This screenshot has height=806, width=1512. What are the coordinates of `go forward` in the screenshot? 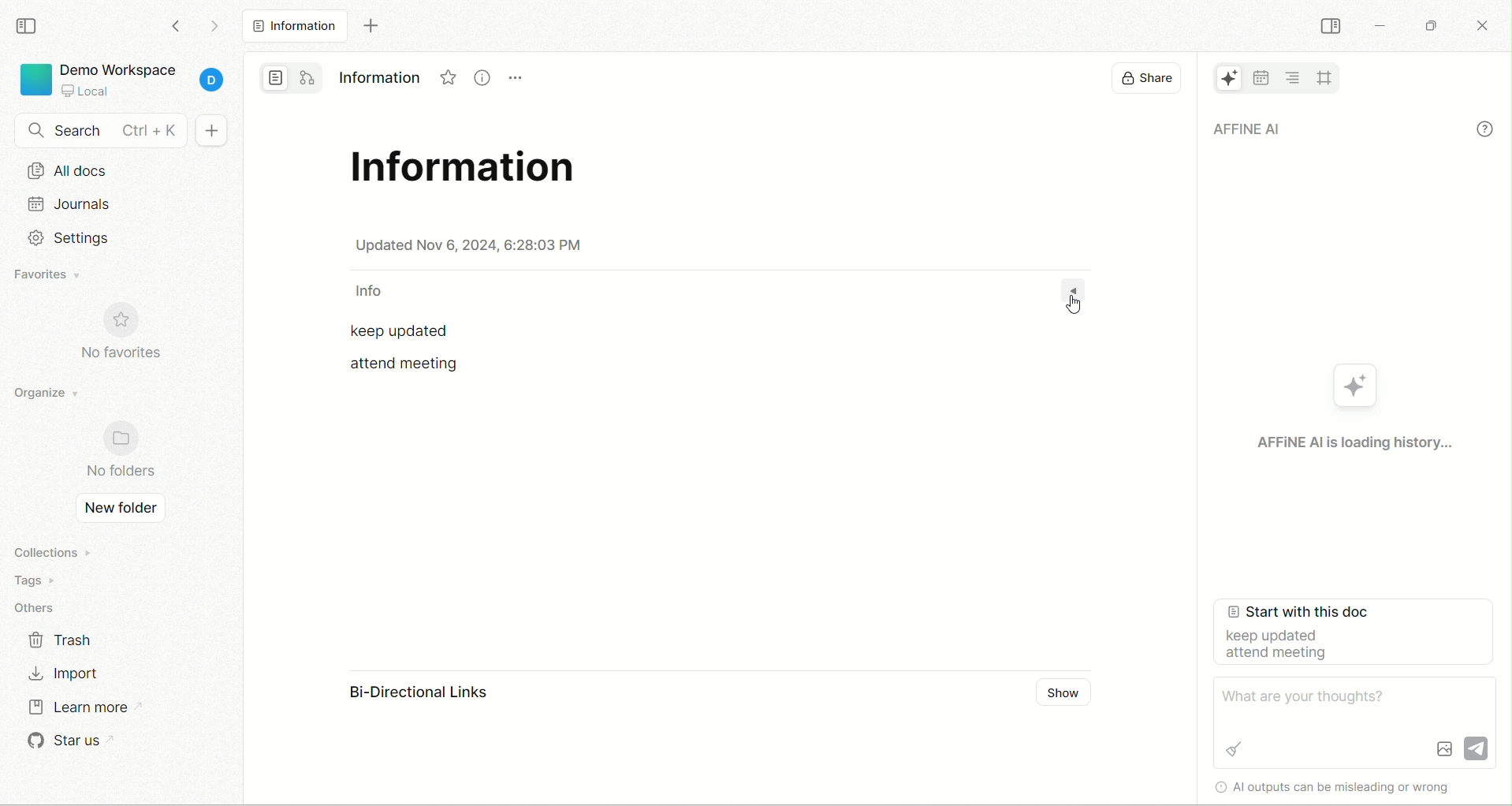 It's located at (210, 27).